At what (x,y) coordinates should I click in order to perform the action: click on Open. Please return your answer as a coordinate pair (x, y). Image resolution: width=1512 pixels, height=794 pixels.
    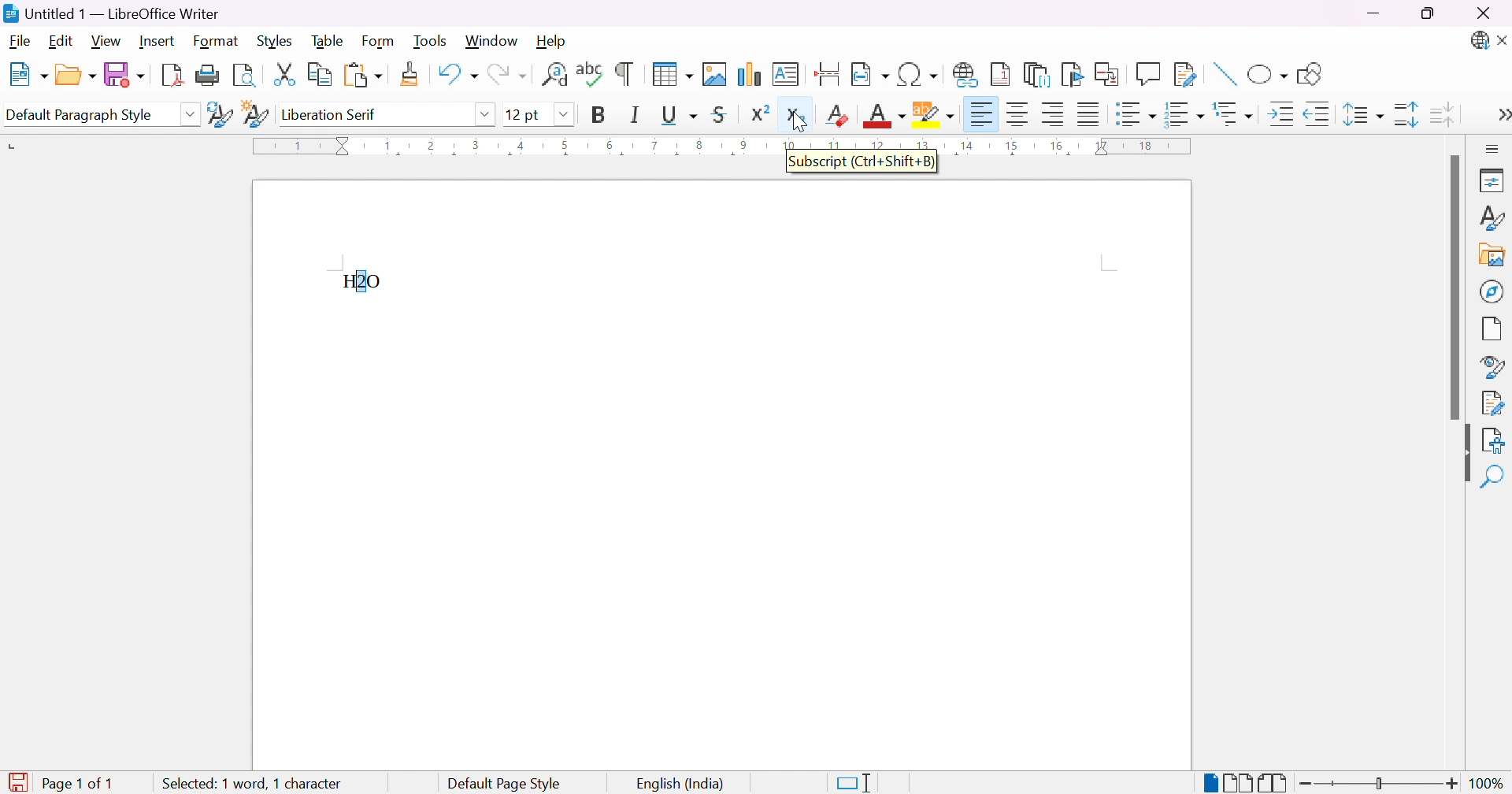
    Looking at the image, I should click on (75, 73).